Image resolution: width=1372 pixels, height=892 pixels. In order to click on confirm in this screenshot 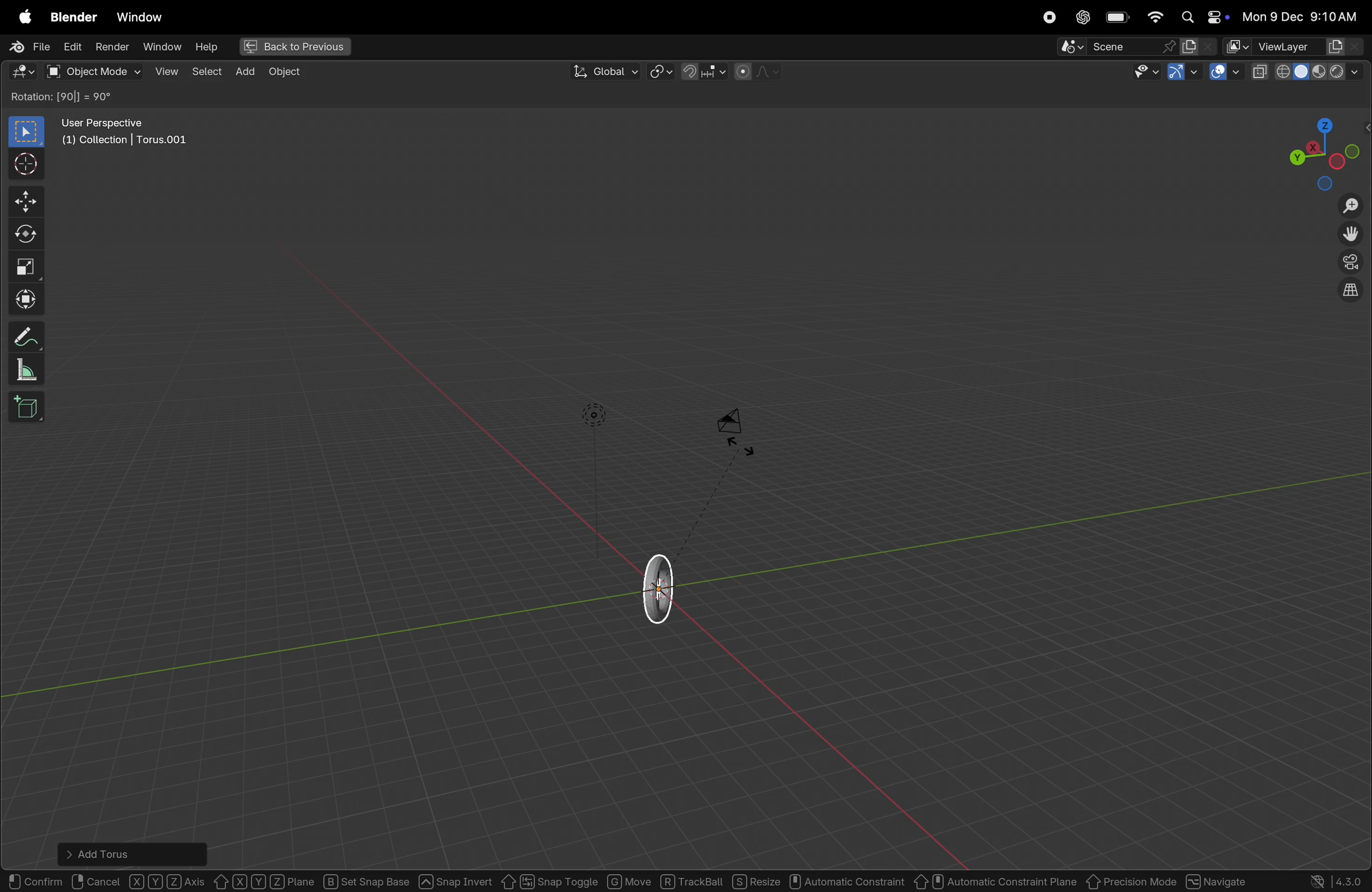, I will do `click(36, 879)`.